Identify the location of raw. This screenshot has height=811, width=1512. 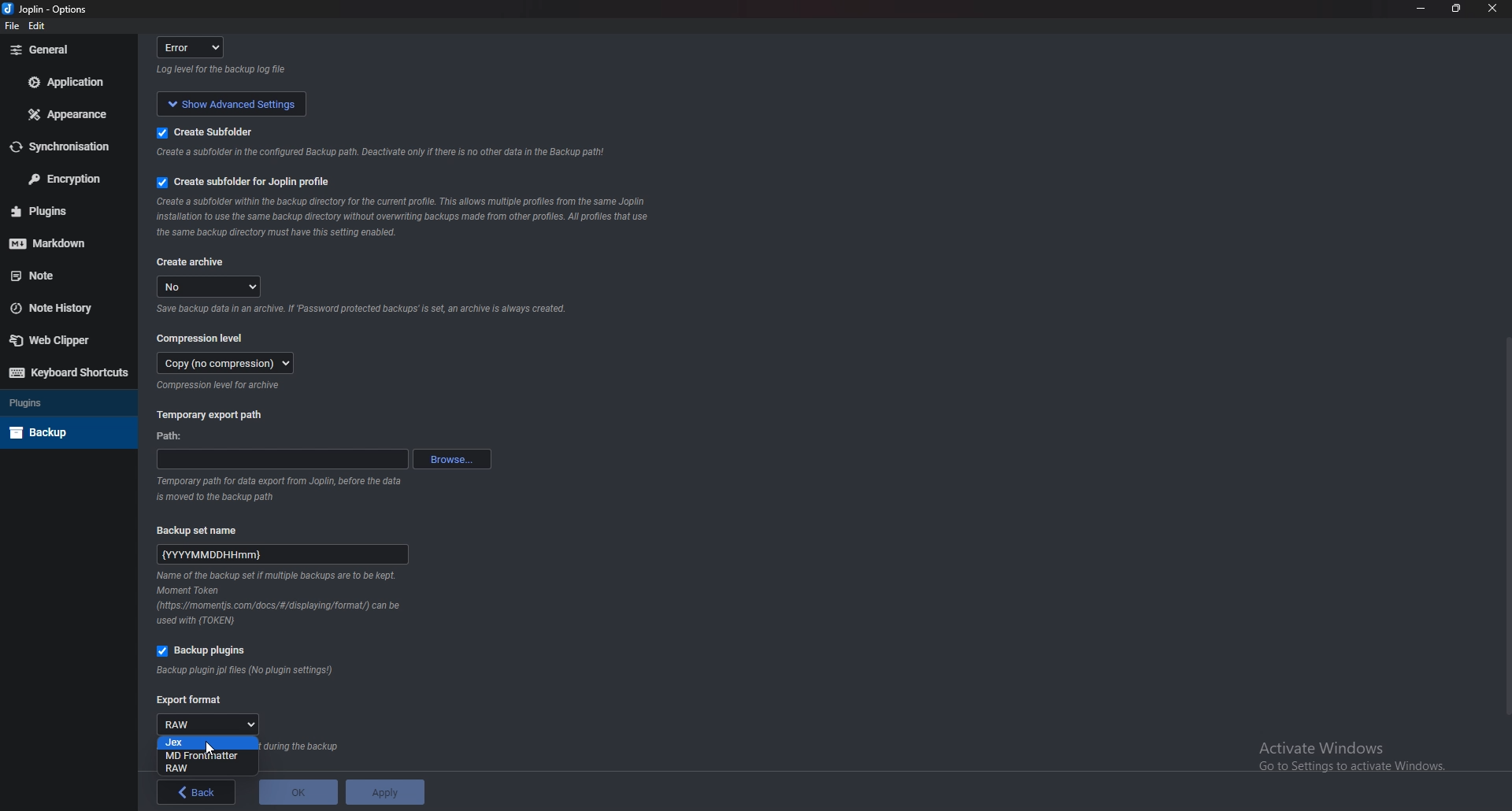
(206, 769).